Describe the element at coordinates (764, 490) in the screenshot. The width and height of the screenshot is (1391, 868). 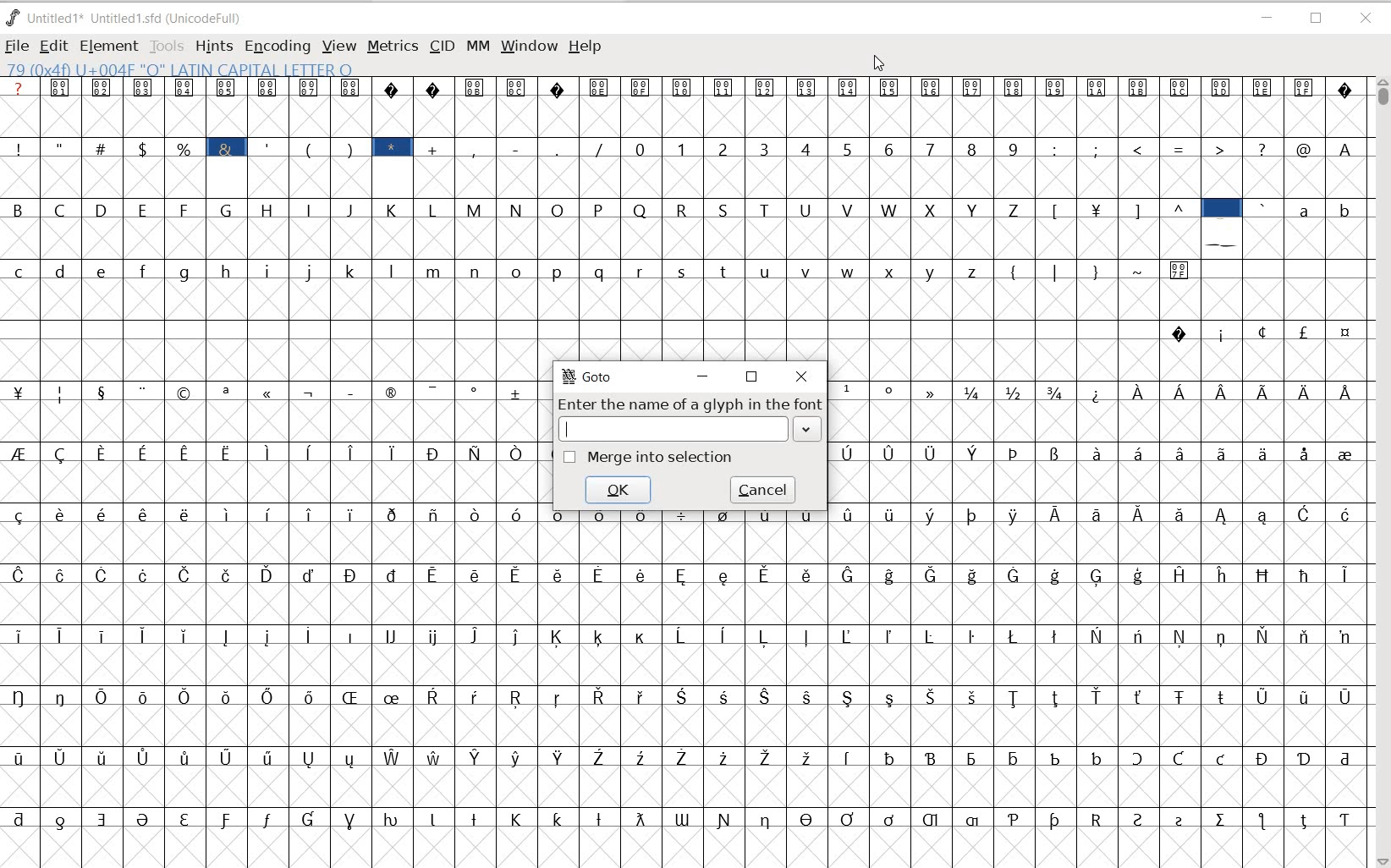
I see `cancel` at that location.